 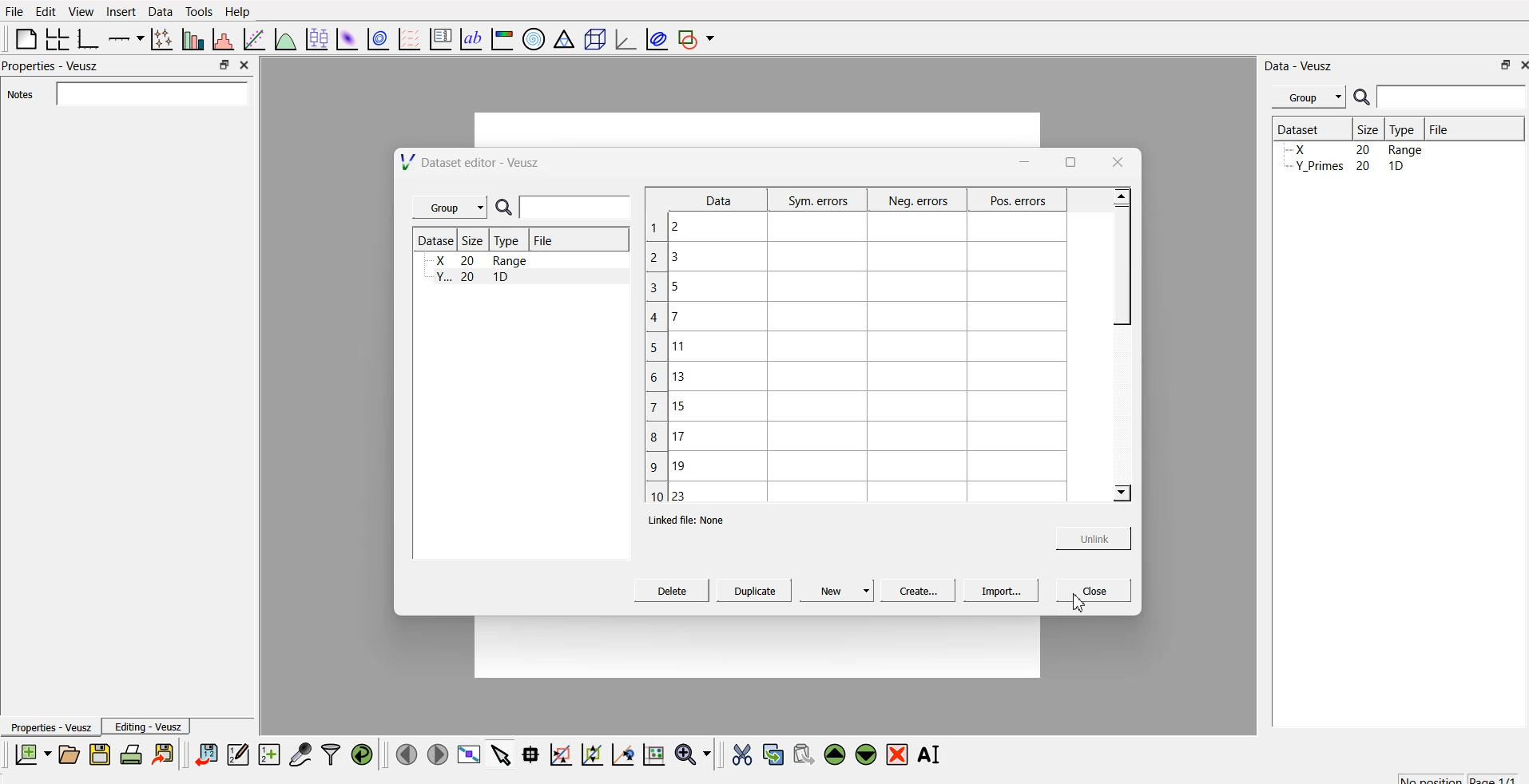 What do you see at coordinates (508, 241) in the screenshot?
I see `| Type` at bounding box center [508, 241].